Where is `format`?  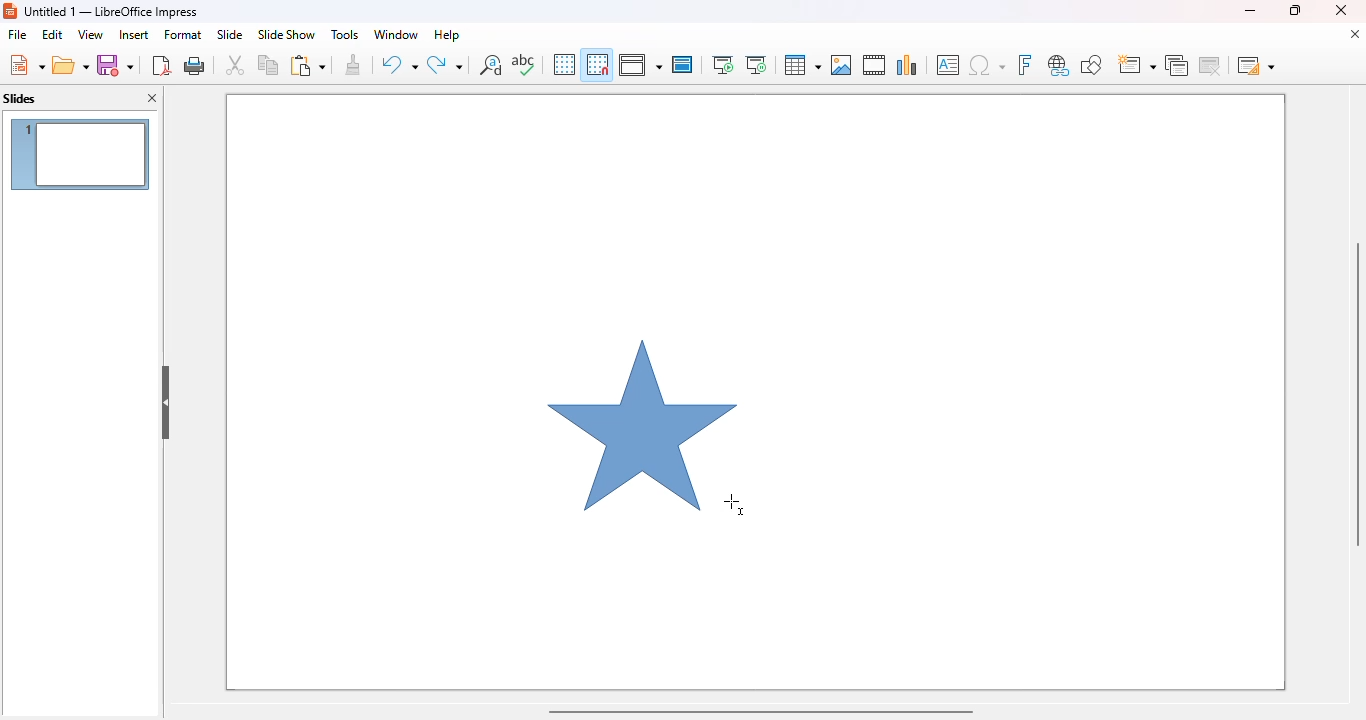
format is located at coordinates (183, 34).